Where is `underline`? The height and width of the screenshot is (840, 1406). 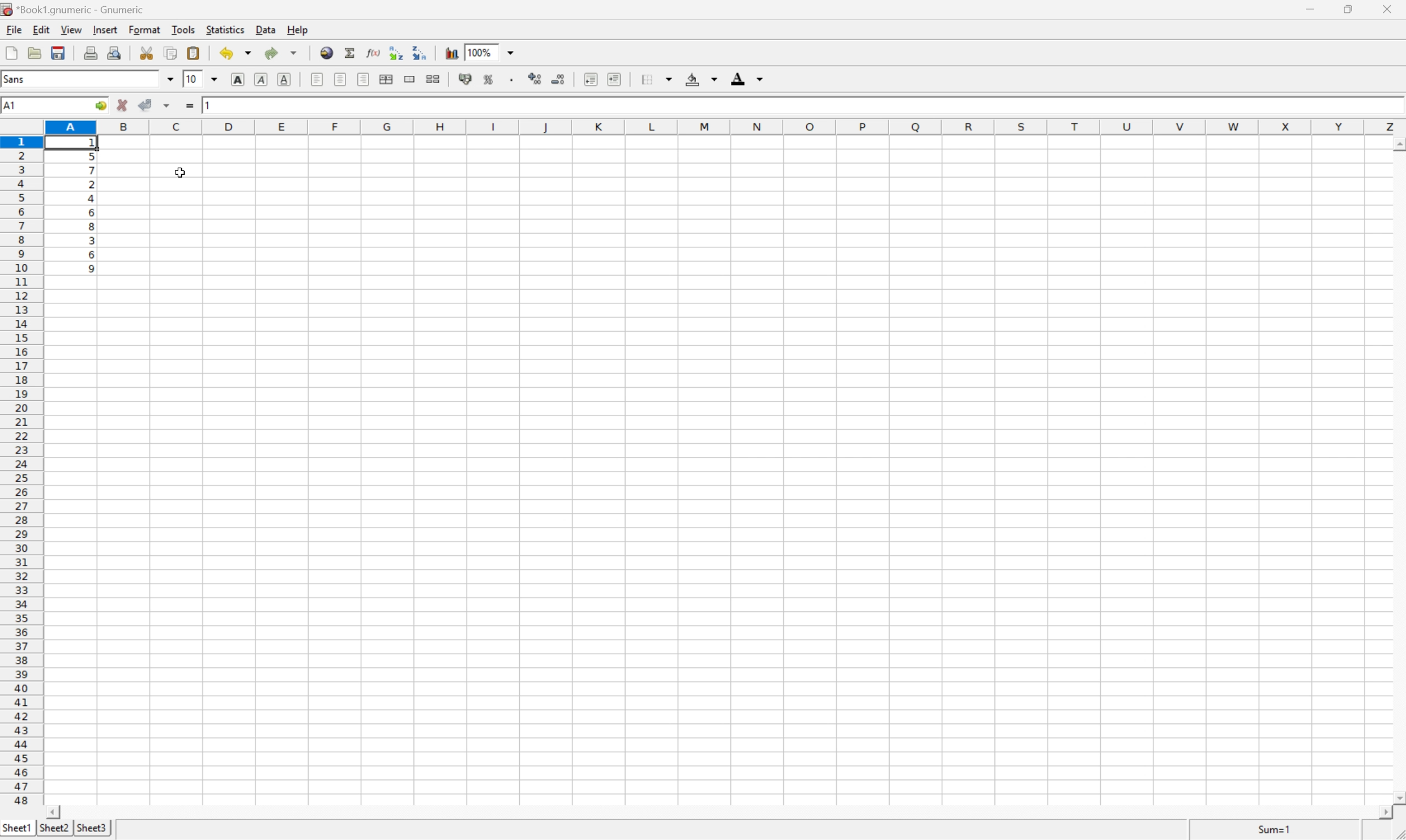 underline is located at coordinates (284, 79).